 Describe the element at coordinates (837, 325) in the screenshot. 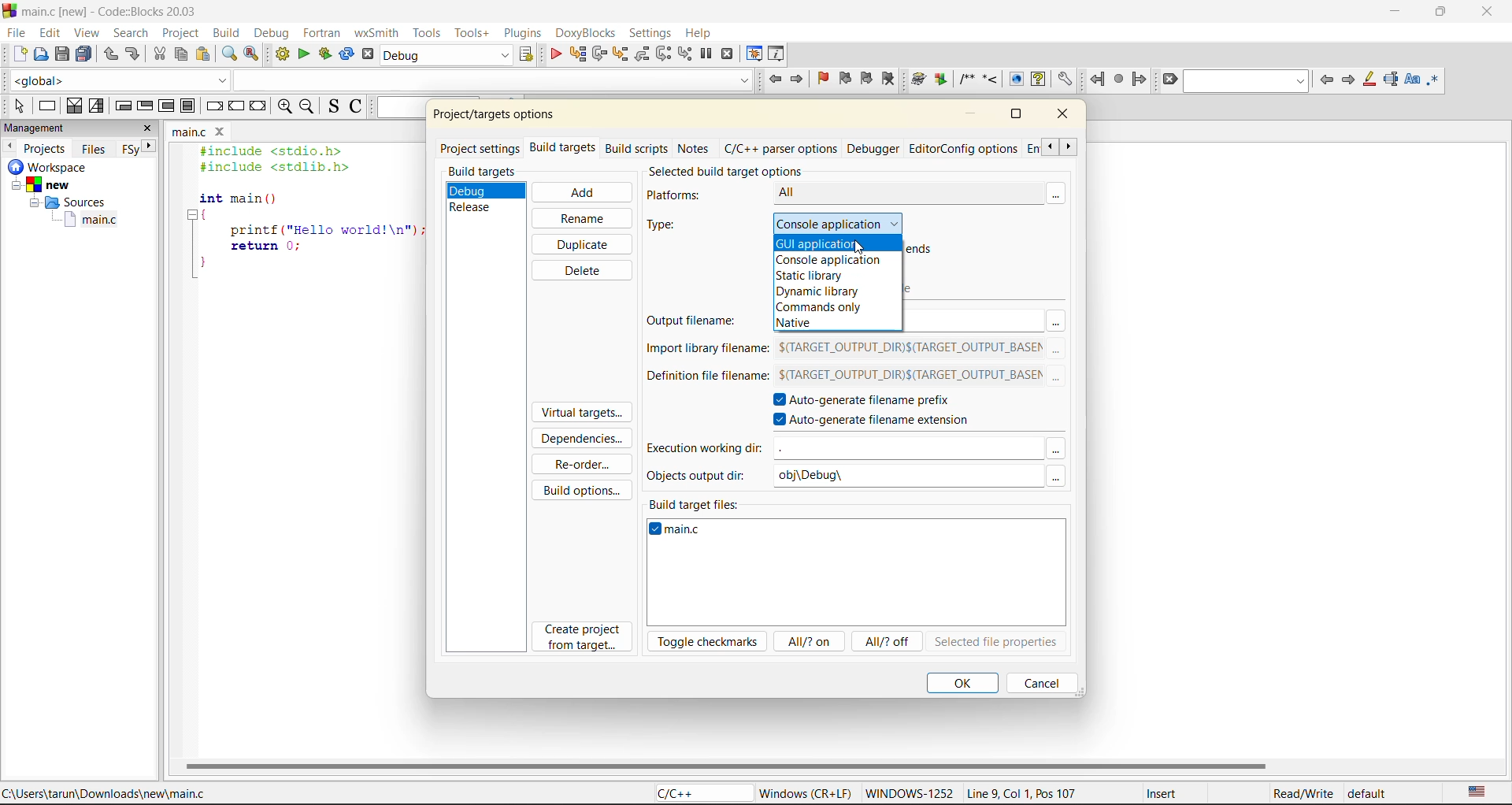

I see `native` at that location.